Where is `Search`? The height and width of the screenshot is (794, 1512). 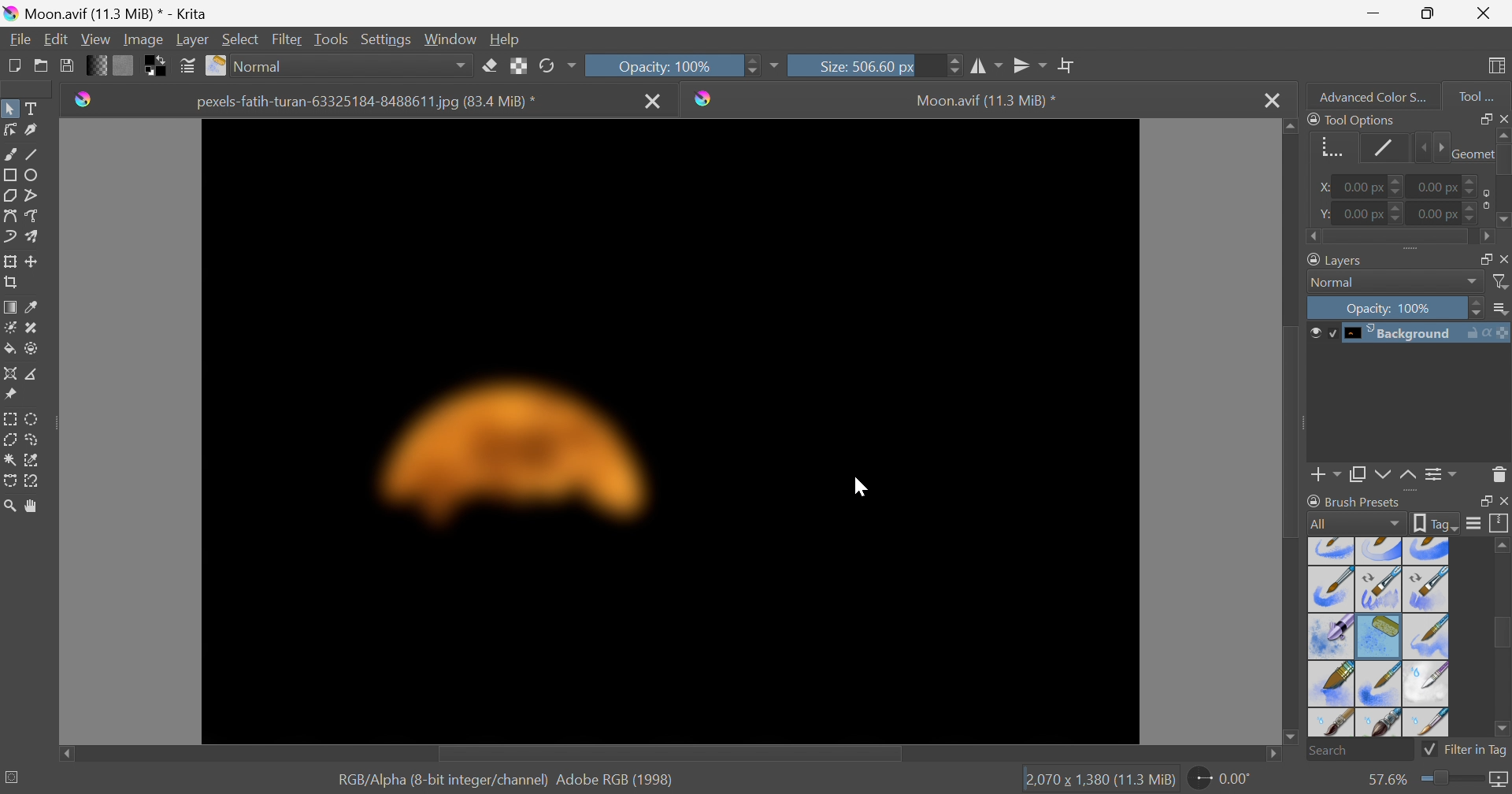
Search is located at coordinates (1359, 751).